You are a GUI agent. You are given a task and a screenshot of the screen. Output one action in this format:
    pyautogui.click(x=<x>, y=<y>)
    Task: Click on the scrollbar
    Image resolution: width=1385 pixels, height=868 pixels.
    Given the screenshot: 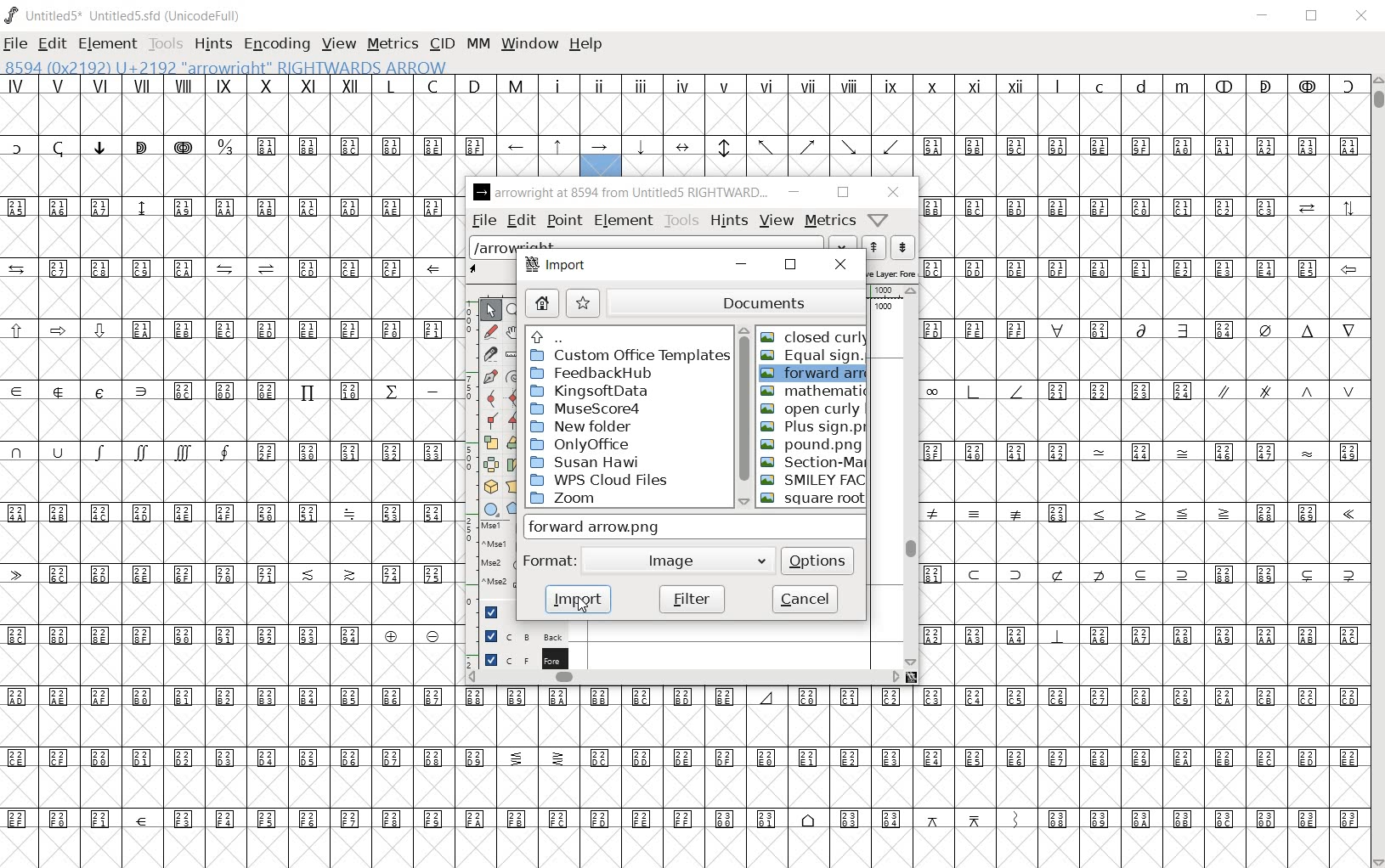 What is the action you would take?
    pyautogui.click(x=911, y=476)
    